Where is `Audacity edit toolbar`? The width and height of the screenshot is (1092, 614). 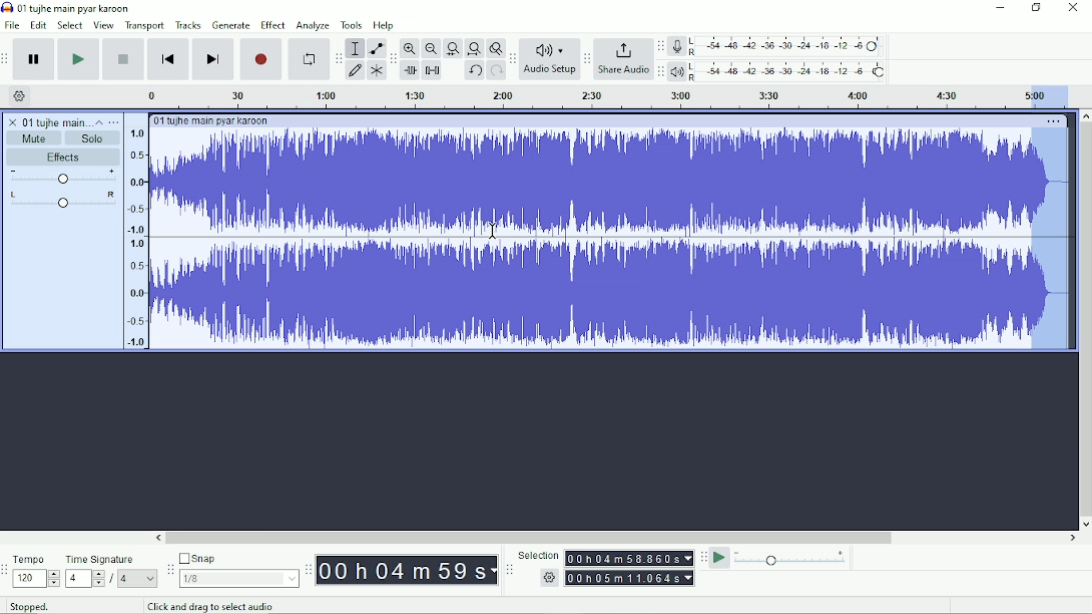 Audacity edit toolbar is located at coordinates (391, 59).